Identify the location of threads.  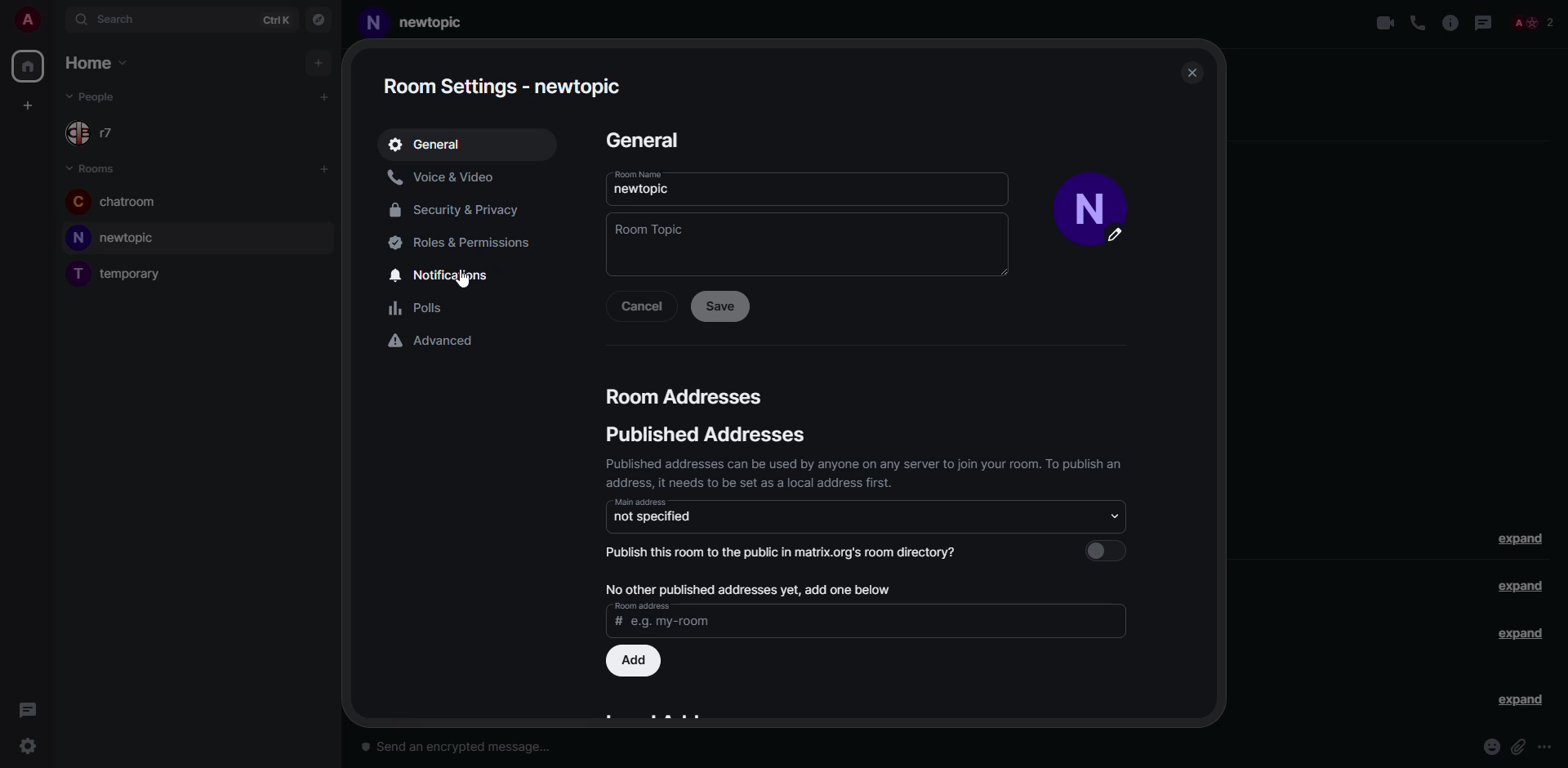
(27, 707).